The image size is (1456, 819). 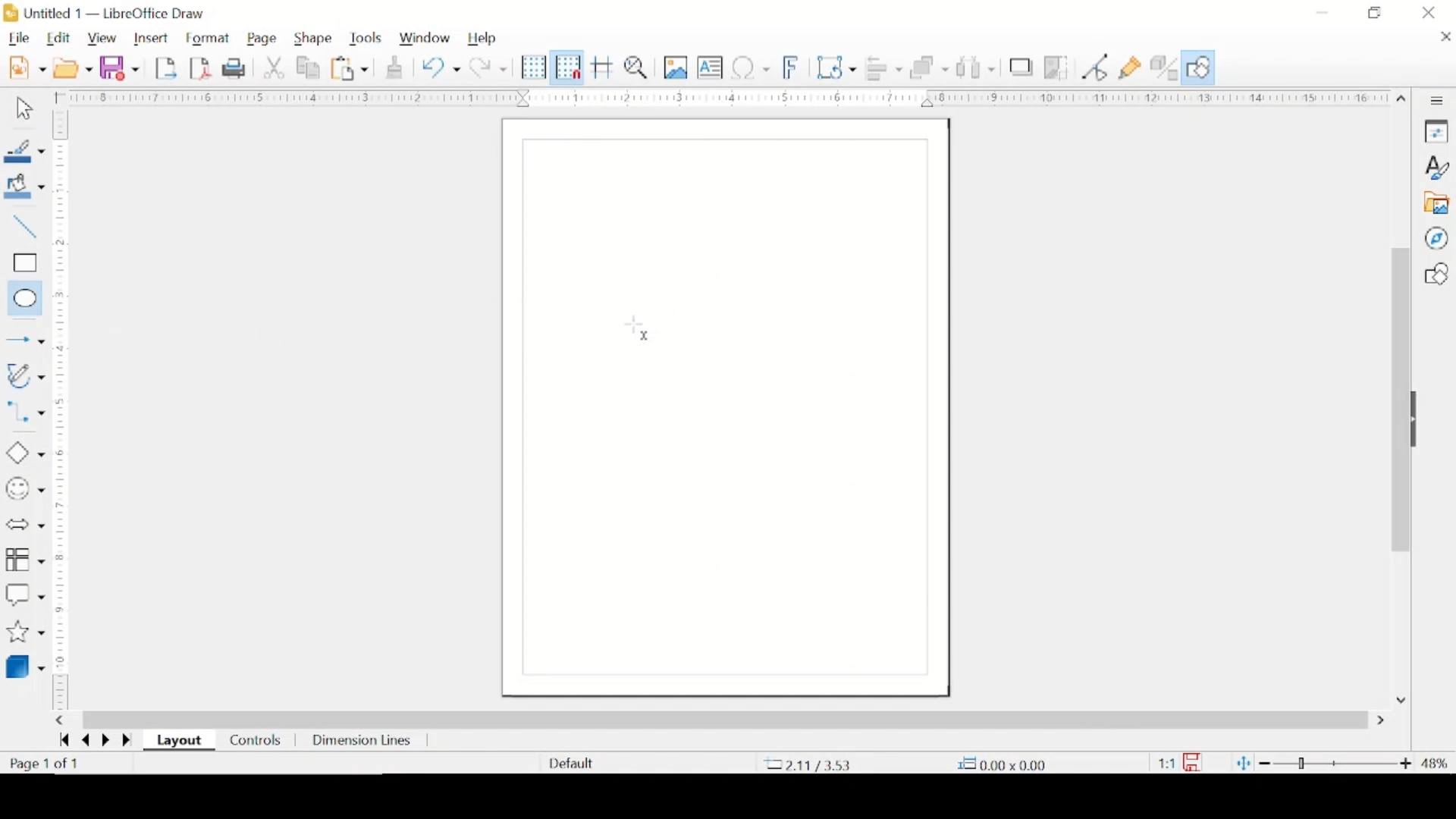 I want to click on margin, so click(x=63, y=212).